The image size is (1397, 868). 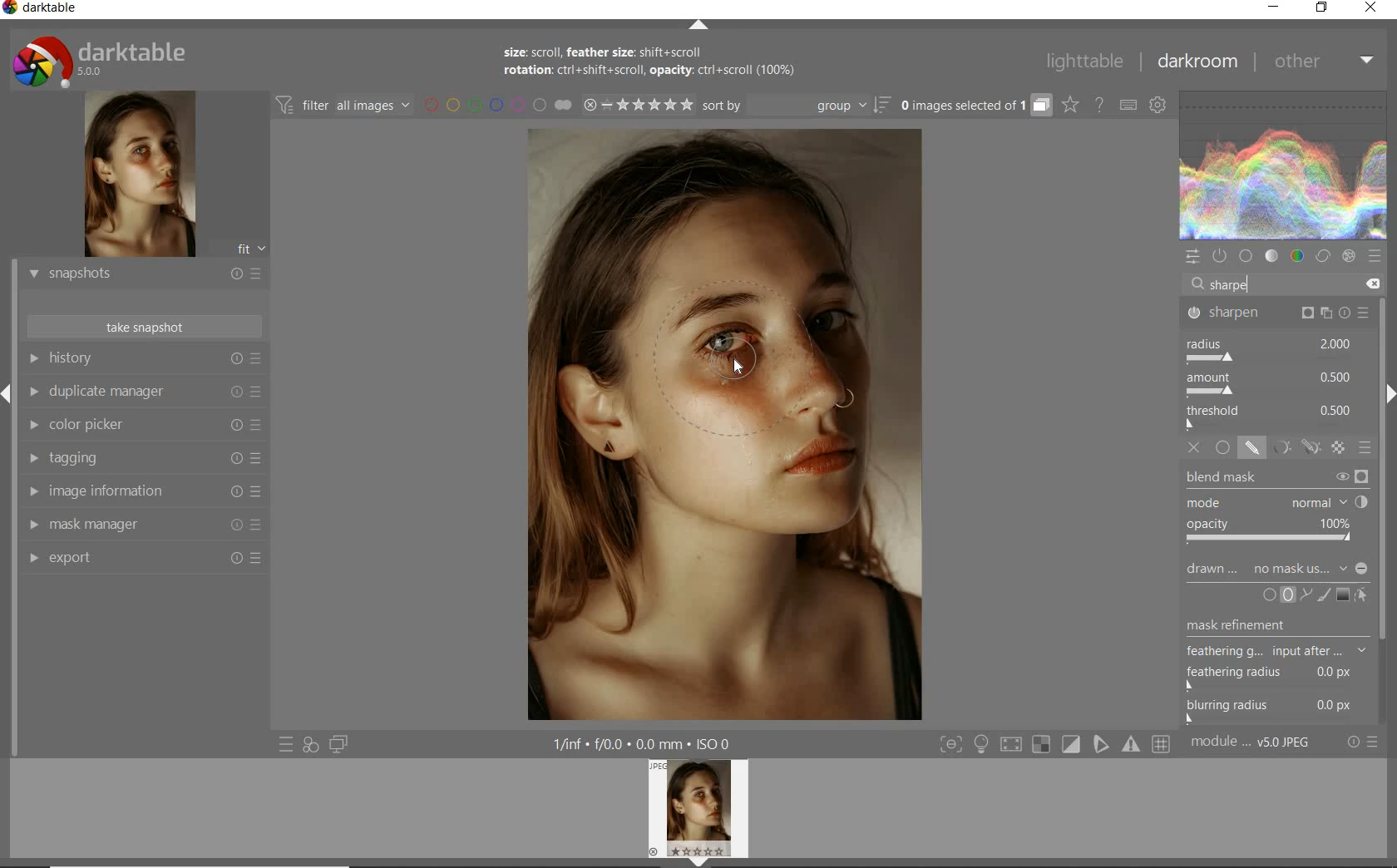 What do you see at coordinates (1085, 62) in the screenshot?
I see `lighttable` at bounding box center [1085, 62].